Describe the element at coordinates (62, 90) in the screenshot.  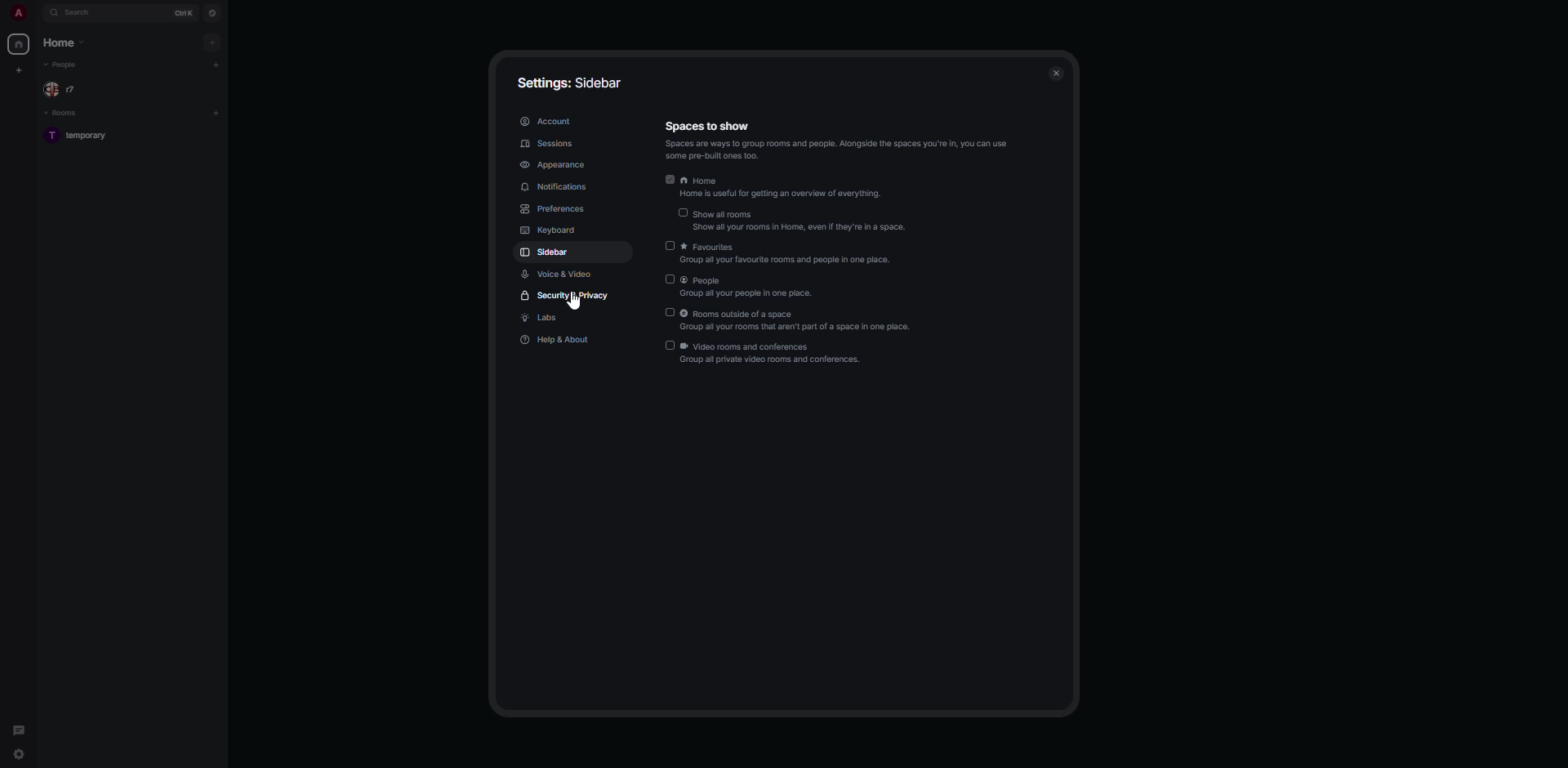
I see `people` at that location.